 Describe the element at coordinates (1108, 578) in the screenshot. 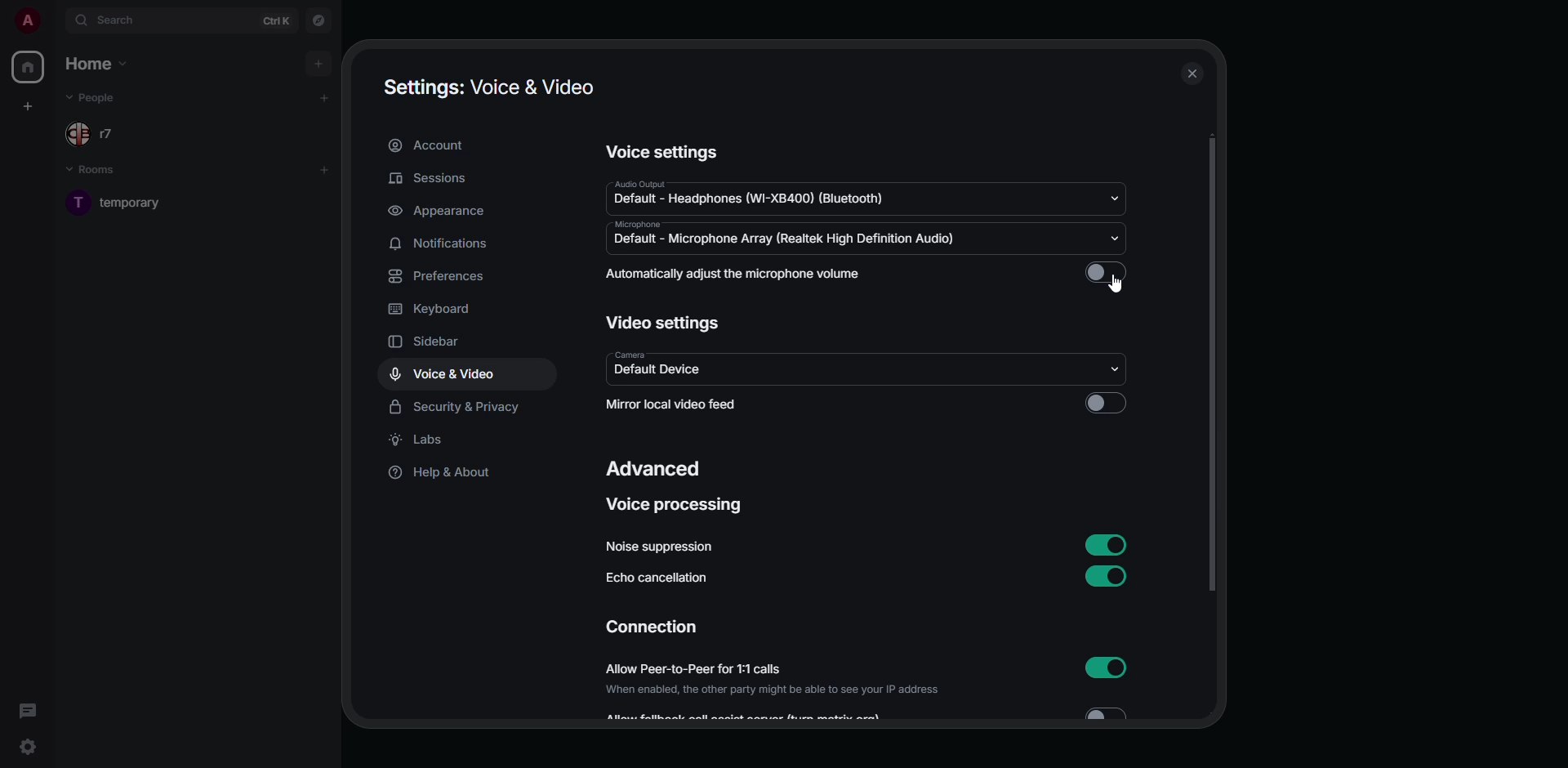

I see `enabled` at that location.